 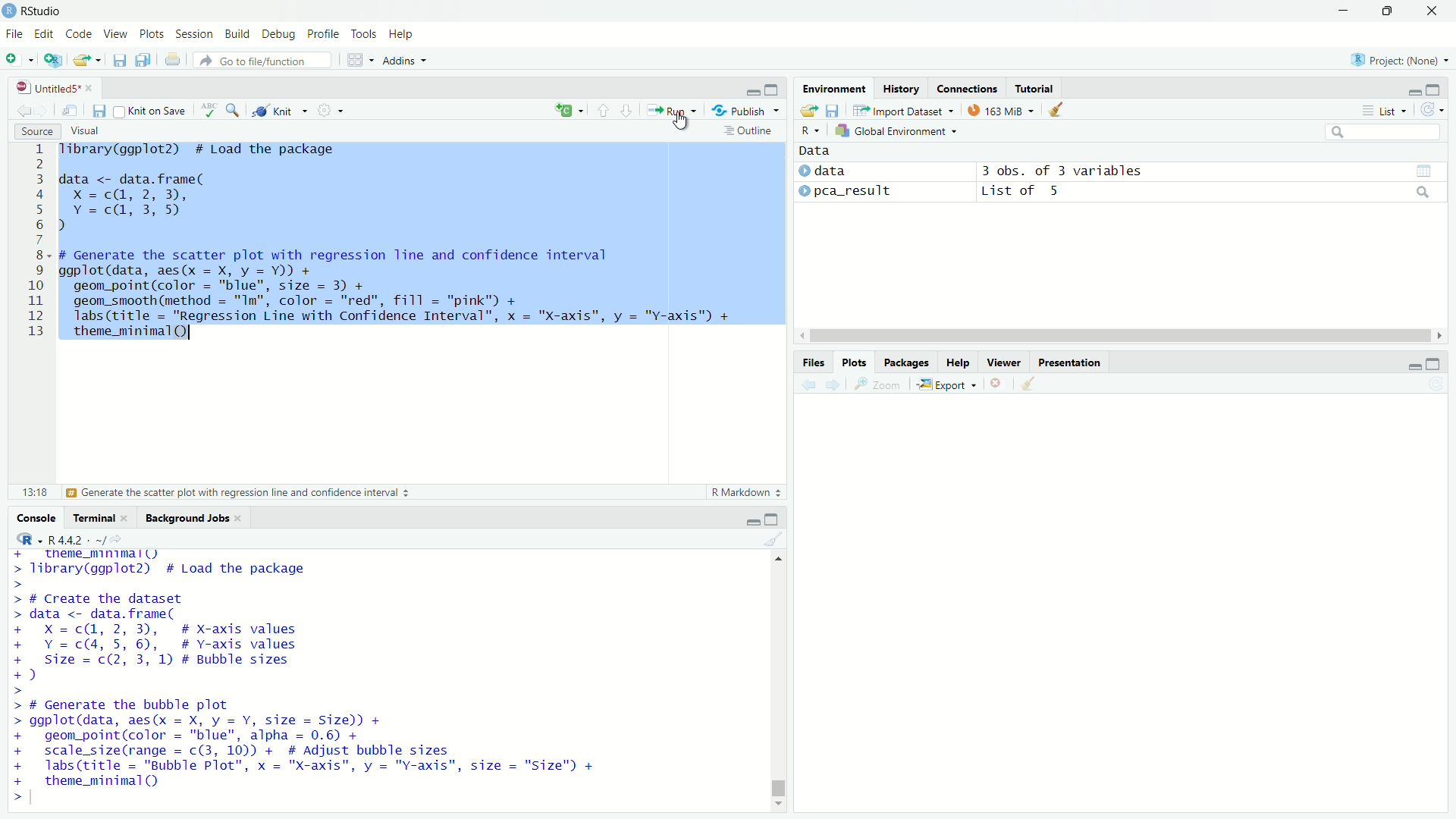 I want to click on Data, so click(x=814, y=151).